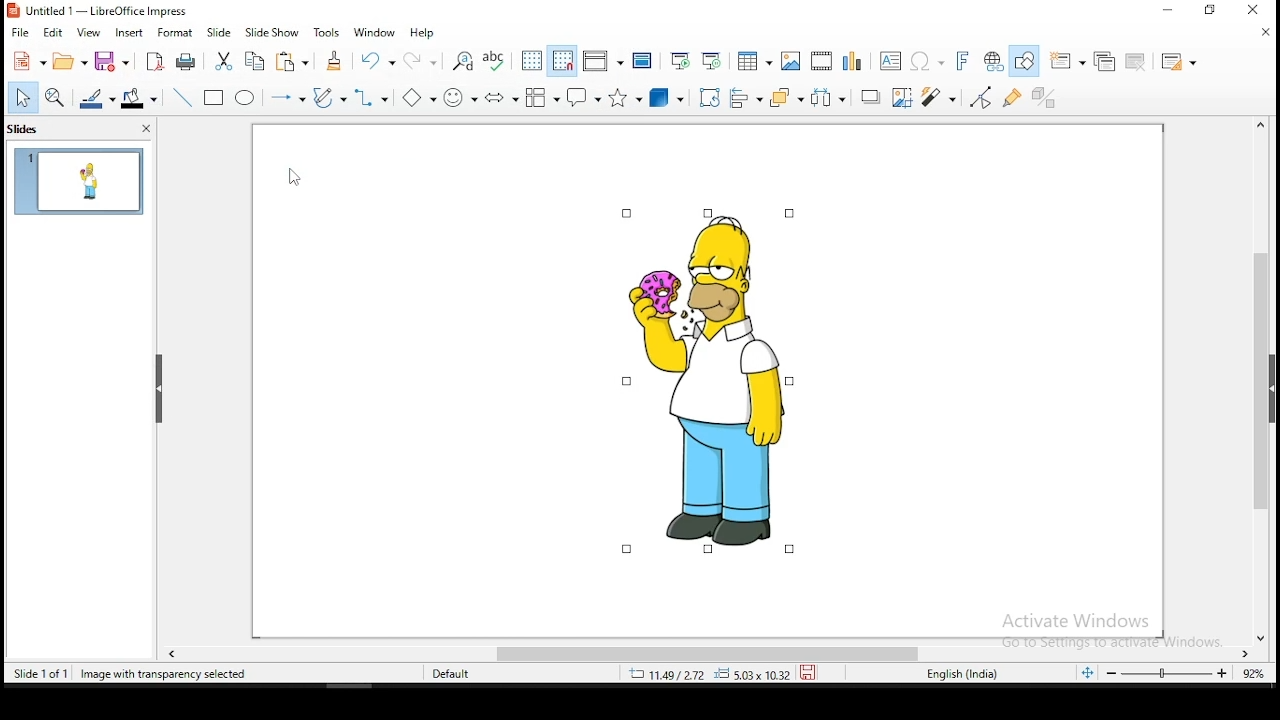 The width and height of the screenshot is (1280, 720). What do you see at coordinates (963, 60) in the screenshot?
I see `insert font work text` at bounding box center [963, 60].